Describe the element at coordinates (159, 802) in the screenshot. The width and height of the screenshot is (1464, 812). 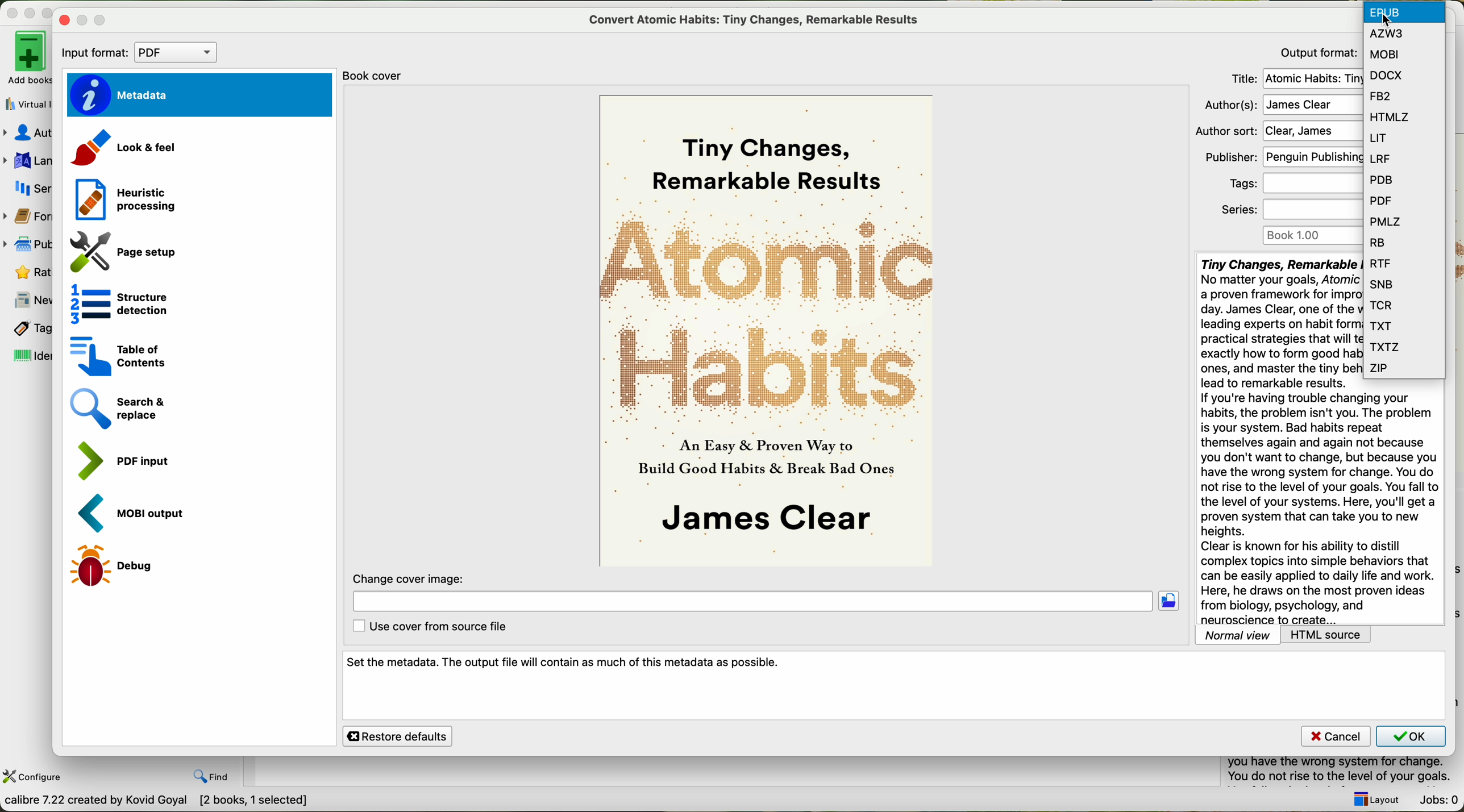
I see `calibre 7.22` at that location.